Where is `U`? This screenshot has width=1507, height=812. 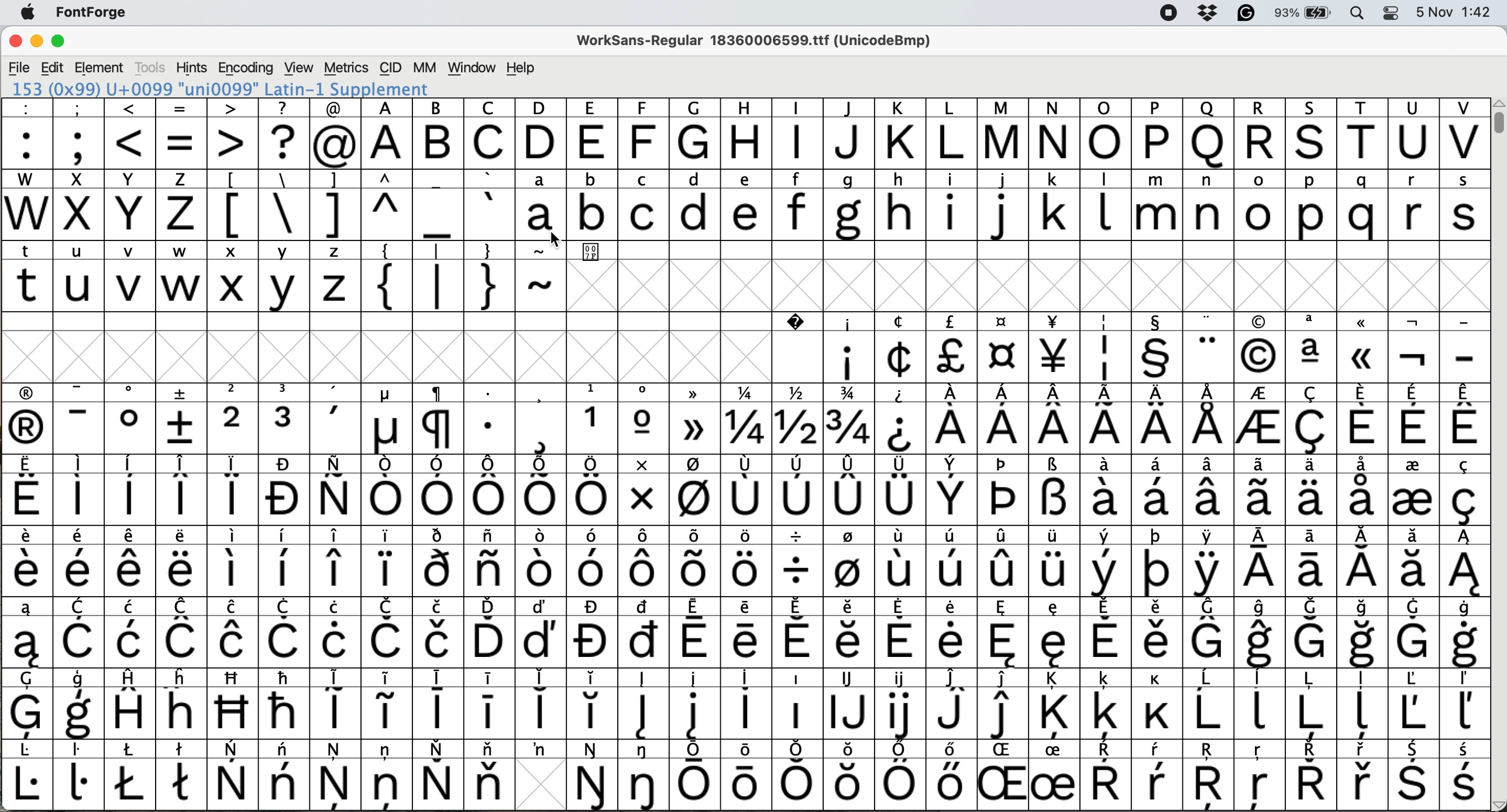
U is located at coordinates (1413, 134).